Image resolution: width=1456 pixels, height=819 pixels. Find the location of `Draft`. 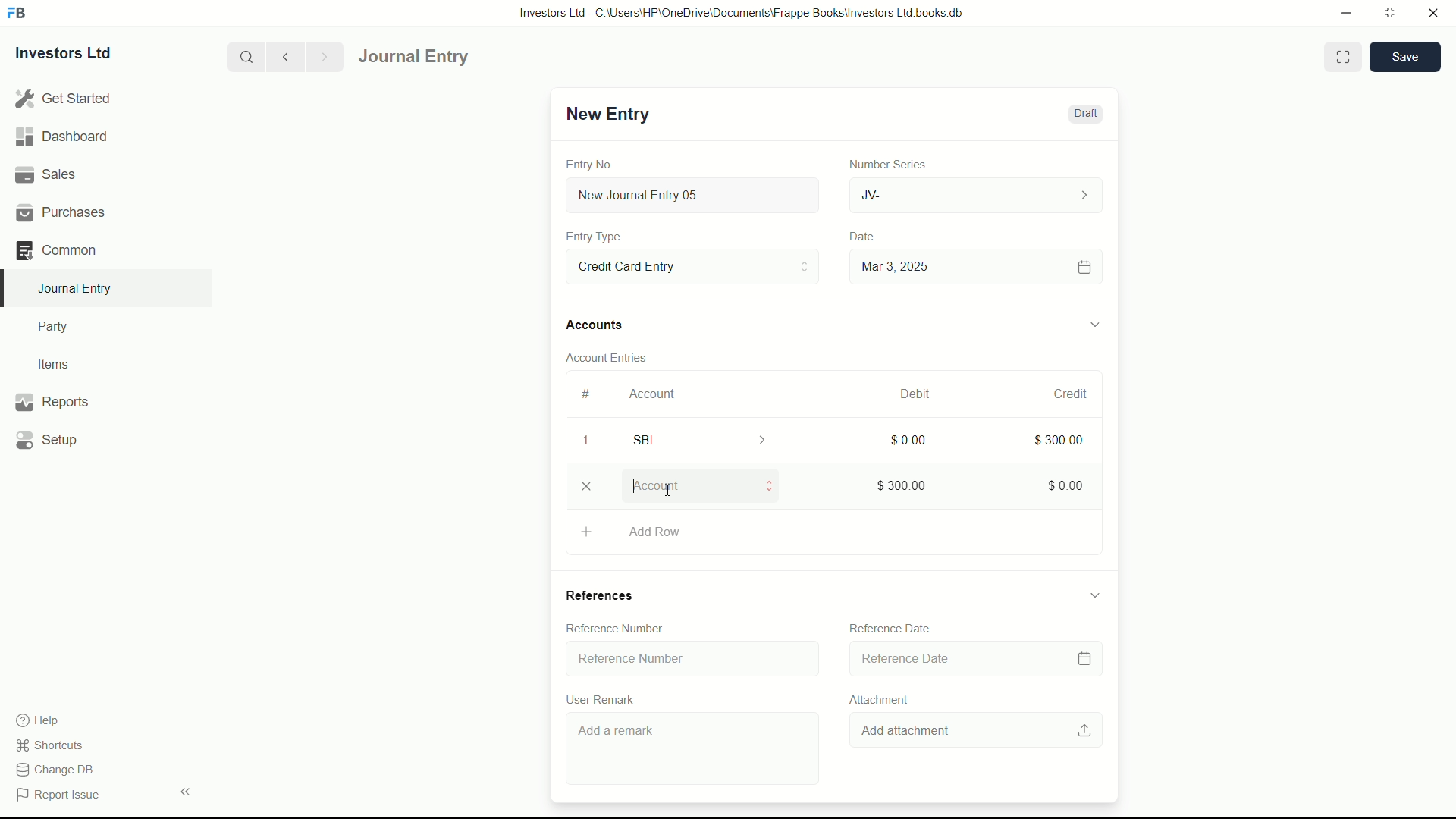

Draft is located at coordinates (1084, 114).